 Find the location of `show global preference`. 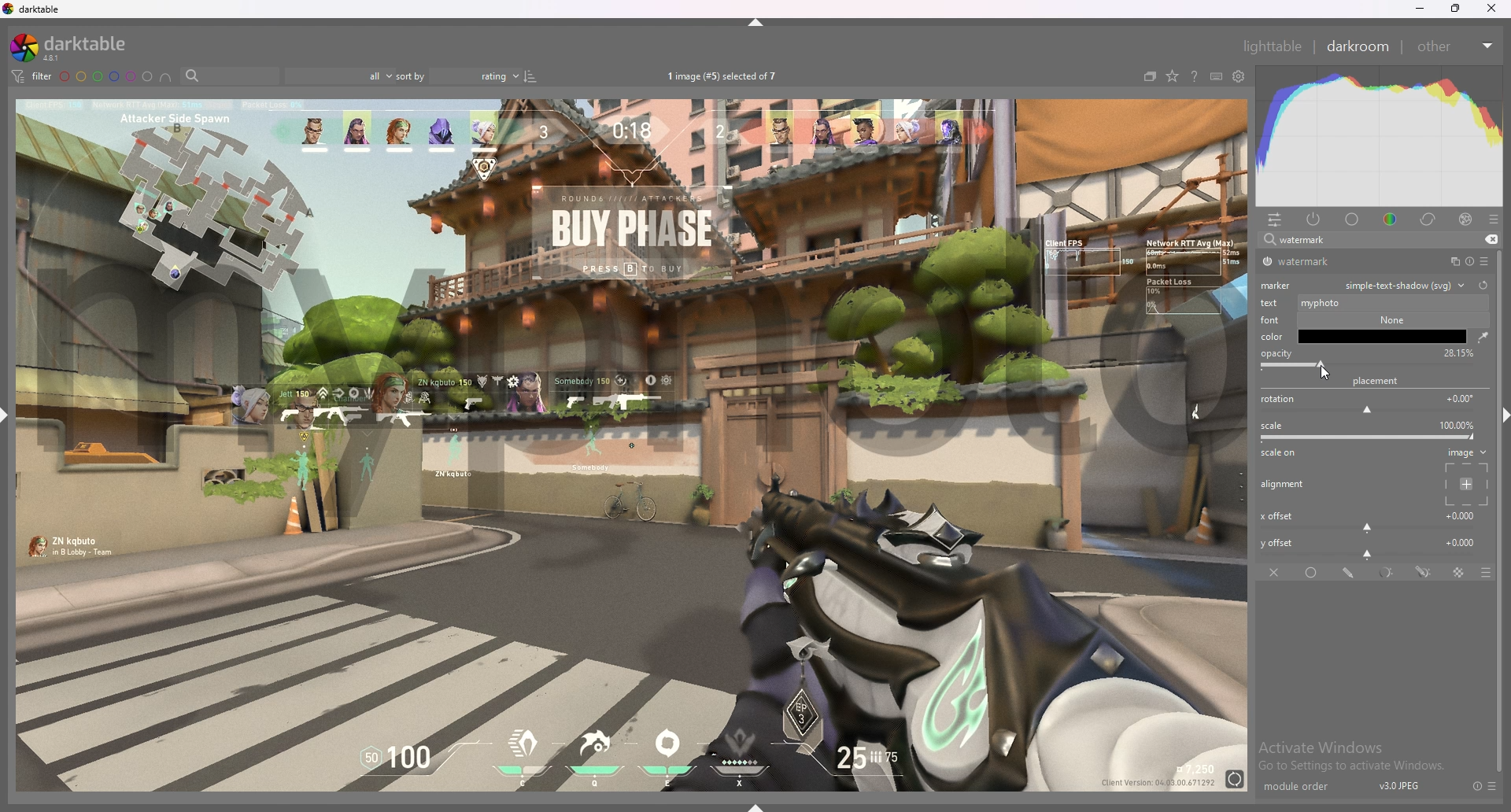

show global preference is located at coordinates (1239, 77).